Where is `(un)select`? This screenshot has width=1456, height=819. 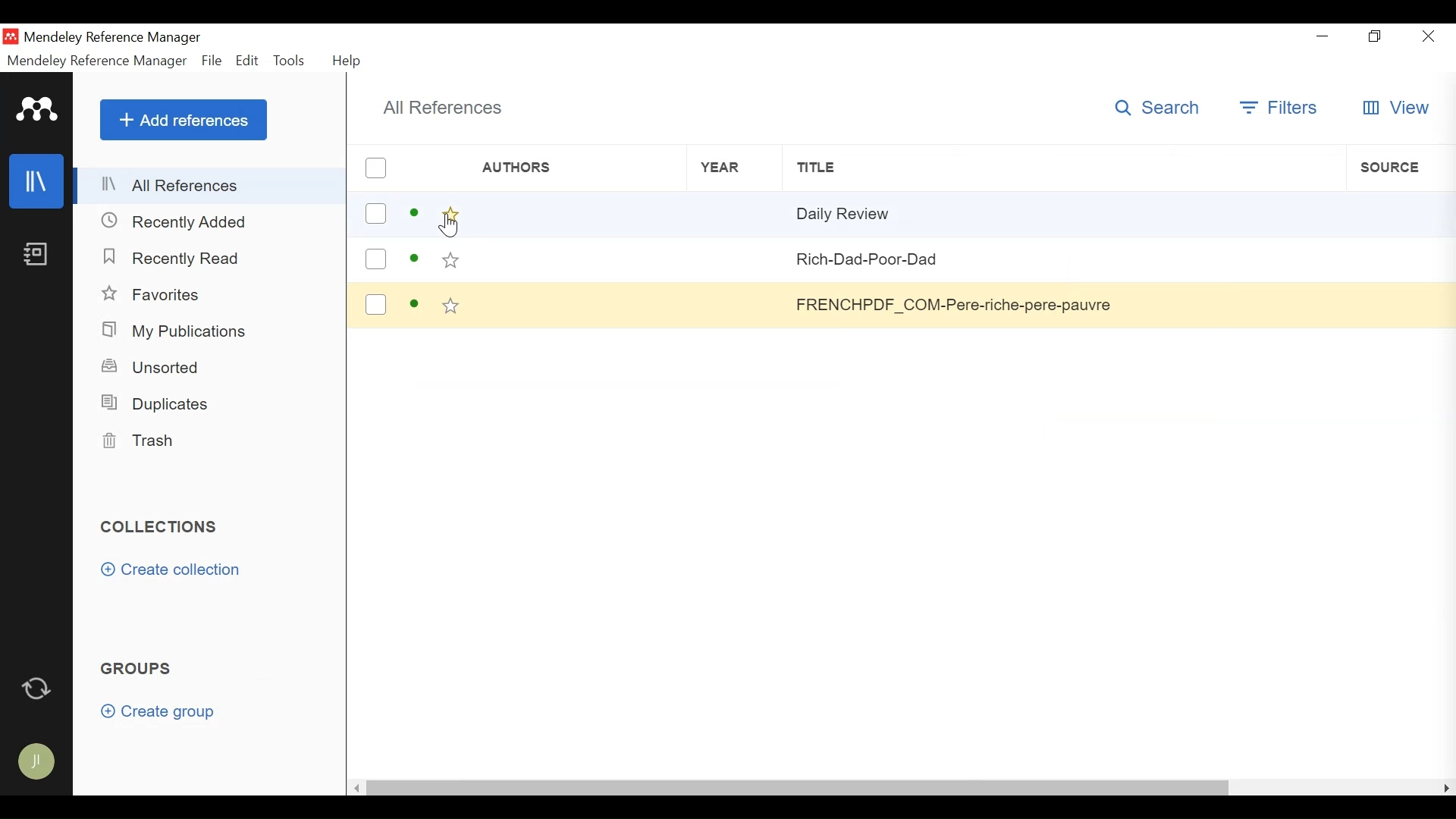 (un)select is located at coordinates (376, 303).